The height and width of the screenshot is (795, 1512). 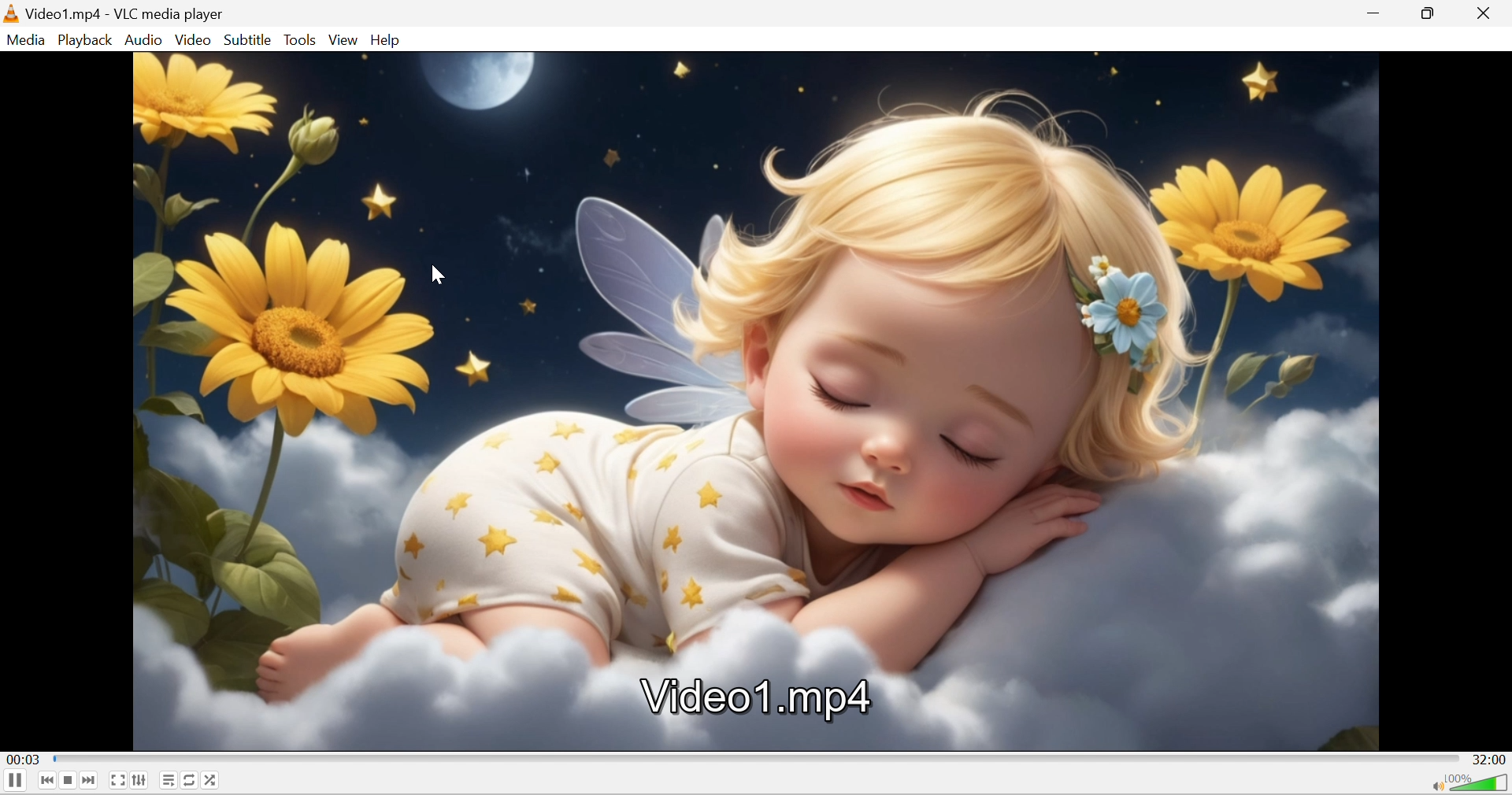 I want to click on Media, so click(x=29, y=42).